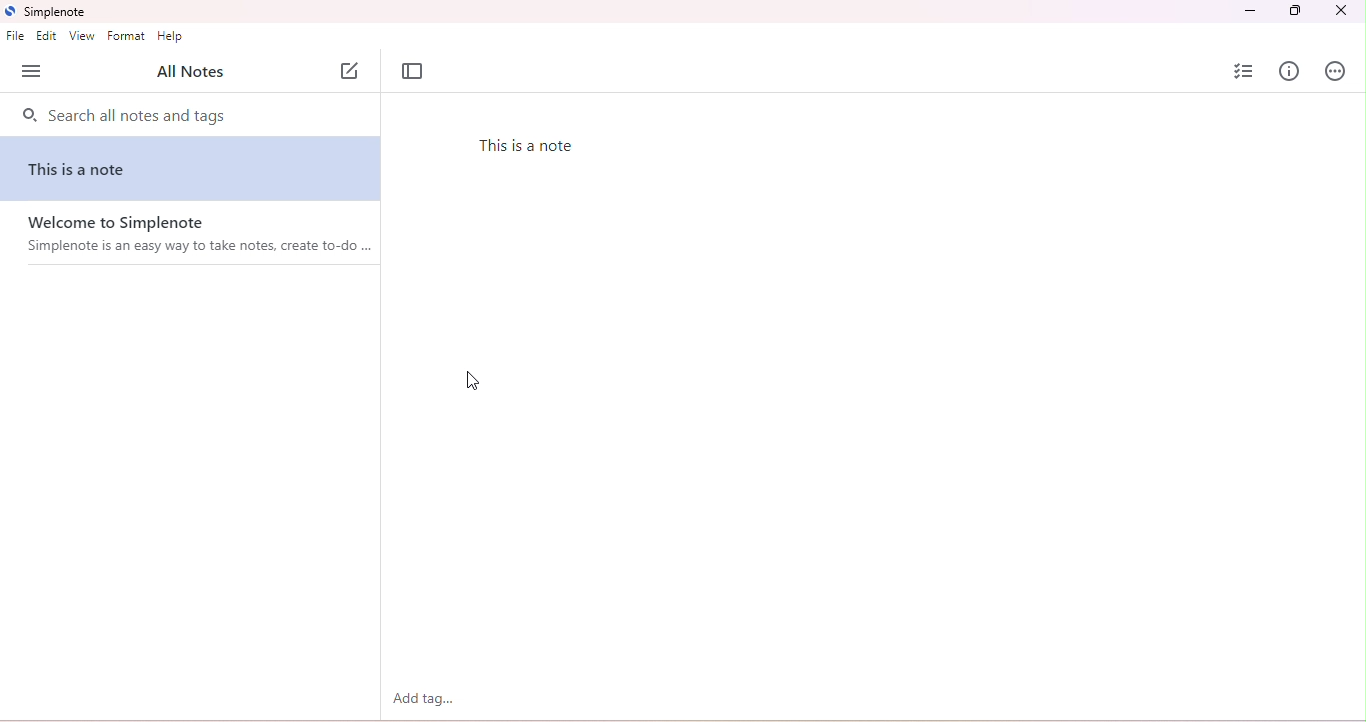 Image resolution: width=1366 pixels, height=722 pixels. I want to click on cursor movement, so click(471, 381).